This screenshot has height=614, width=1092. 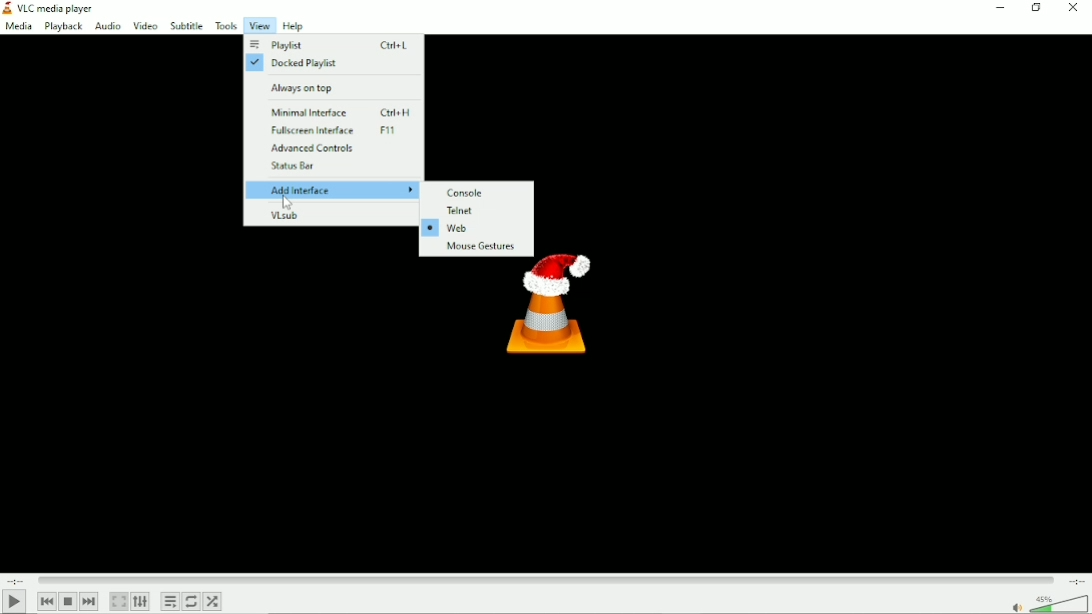 What do you see at coordinates (295, 167) in the screenshot?
I see `Status bar` at bounding box center [295, 167].